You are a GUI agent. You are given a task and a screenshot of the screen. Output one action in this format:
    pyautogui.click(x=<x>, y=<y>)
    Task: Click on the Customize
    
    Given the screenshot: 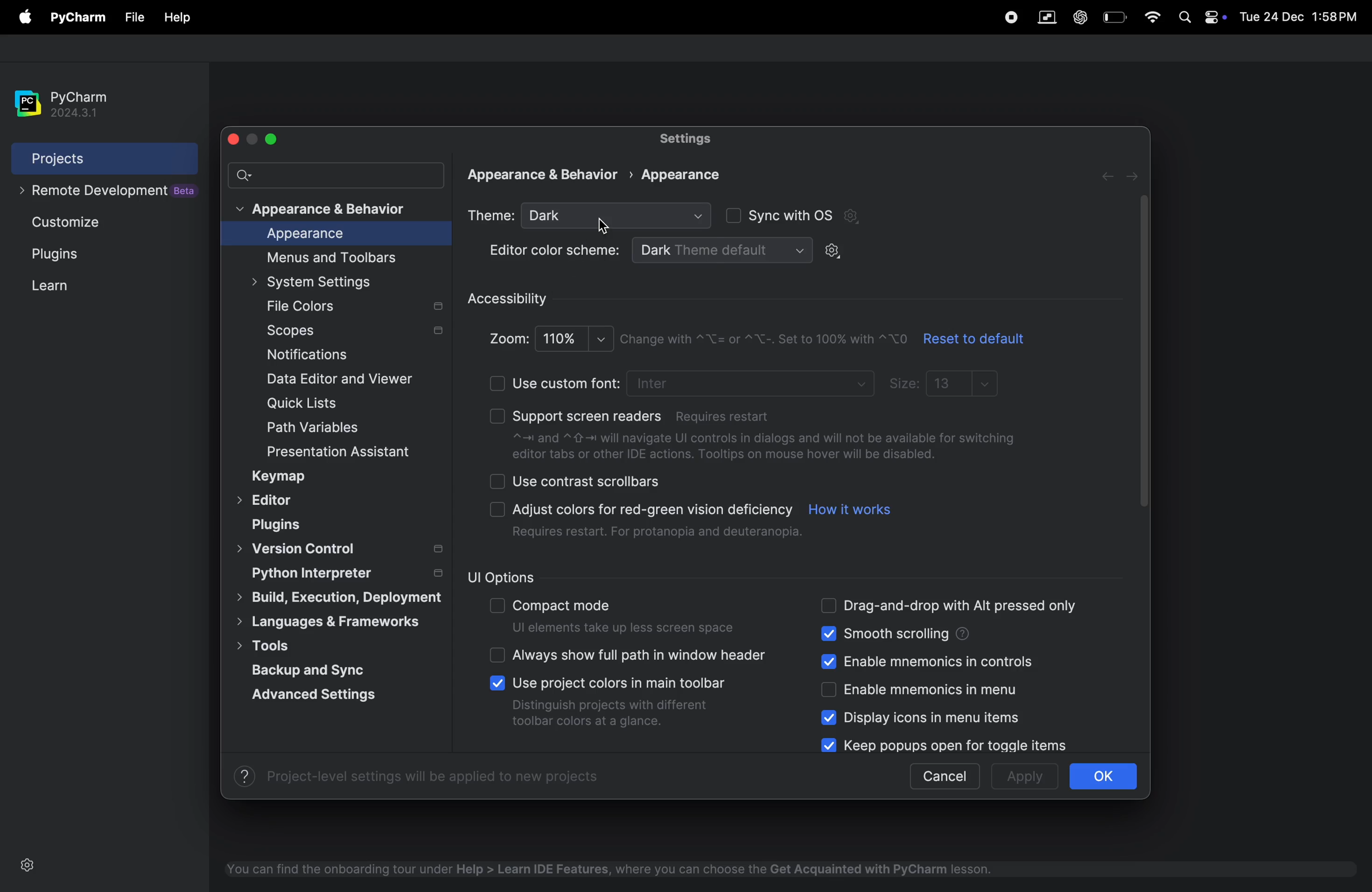 What is the action you would take?
    pyautogui.click(x=74, y=225)
    